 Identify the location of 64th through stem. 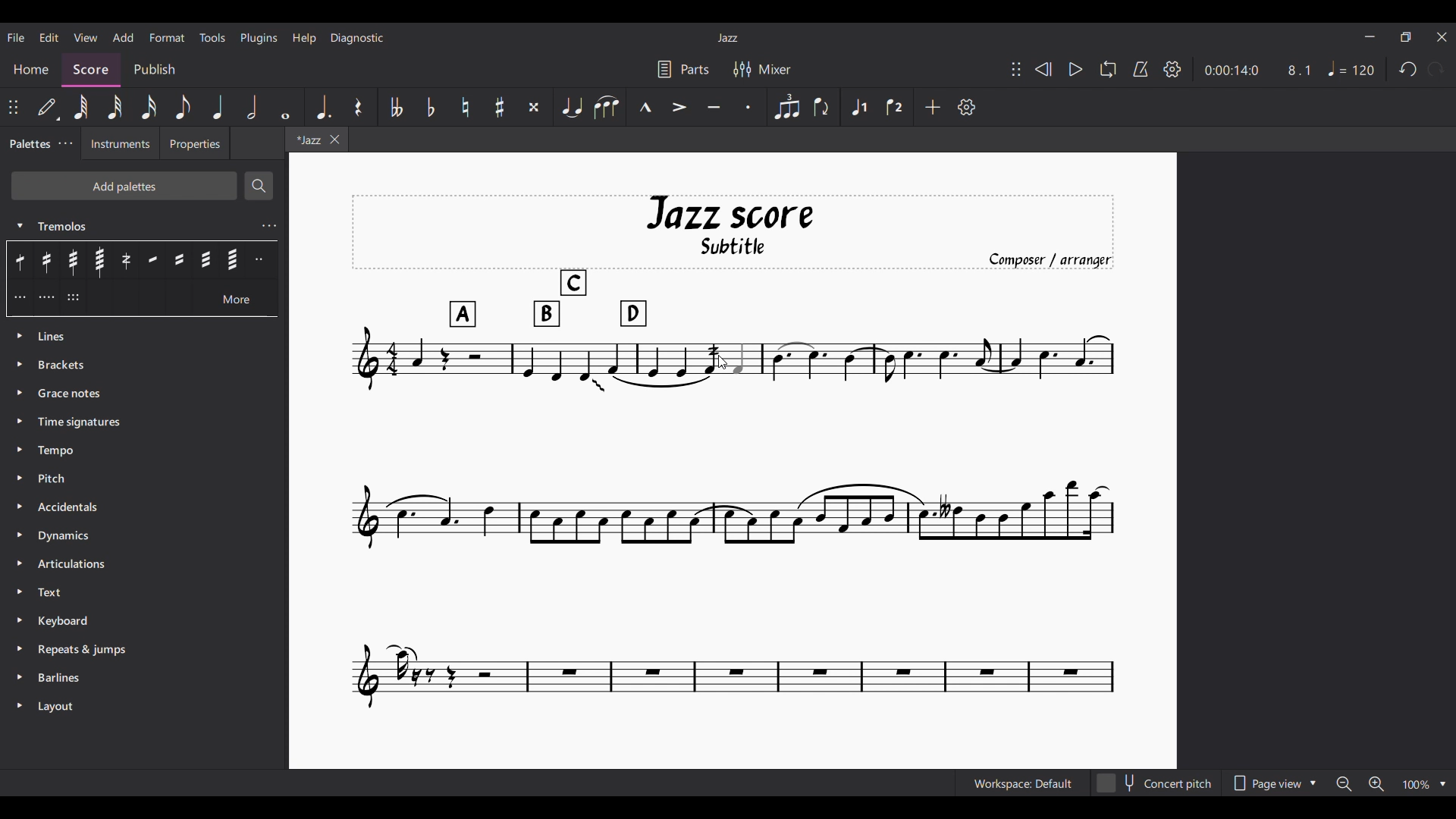
(99, 260).